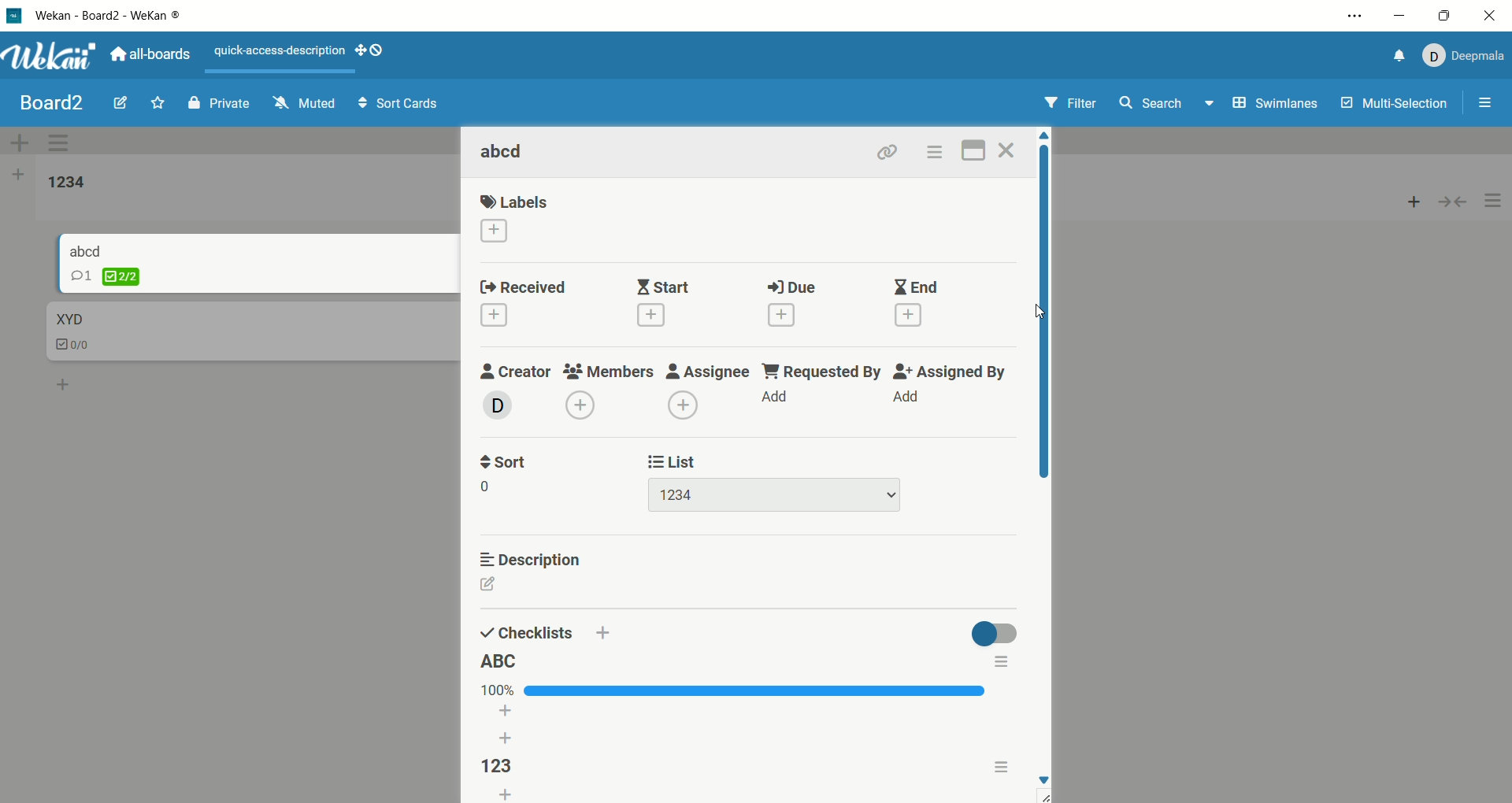 The height and width of the screenshot is (803, 1512). Describe the element at coordinates (664, 286) in the screenshot. I see `start` at that location.